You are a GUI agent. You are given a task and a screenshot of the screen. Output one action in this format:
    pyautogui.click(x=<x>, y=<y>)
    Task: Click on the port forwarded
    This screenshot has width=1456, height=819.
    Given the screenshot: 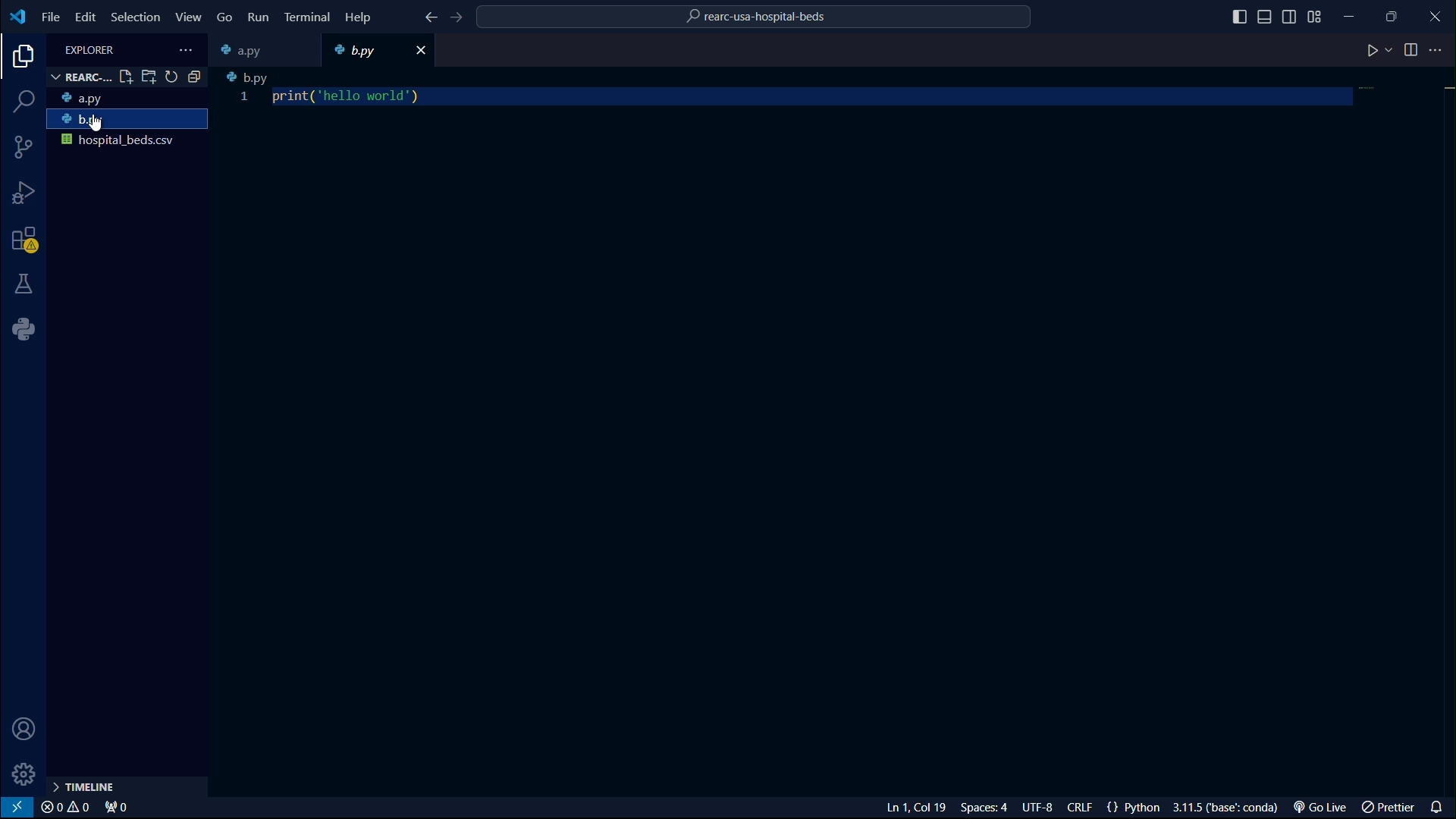 What is the action you would take?
    pyautogui.click(x=115, y=808)
    